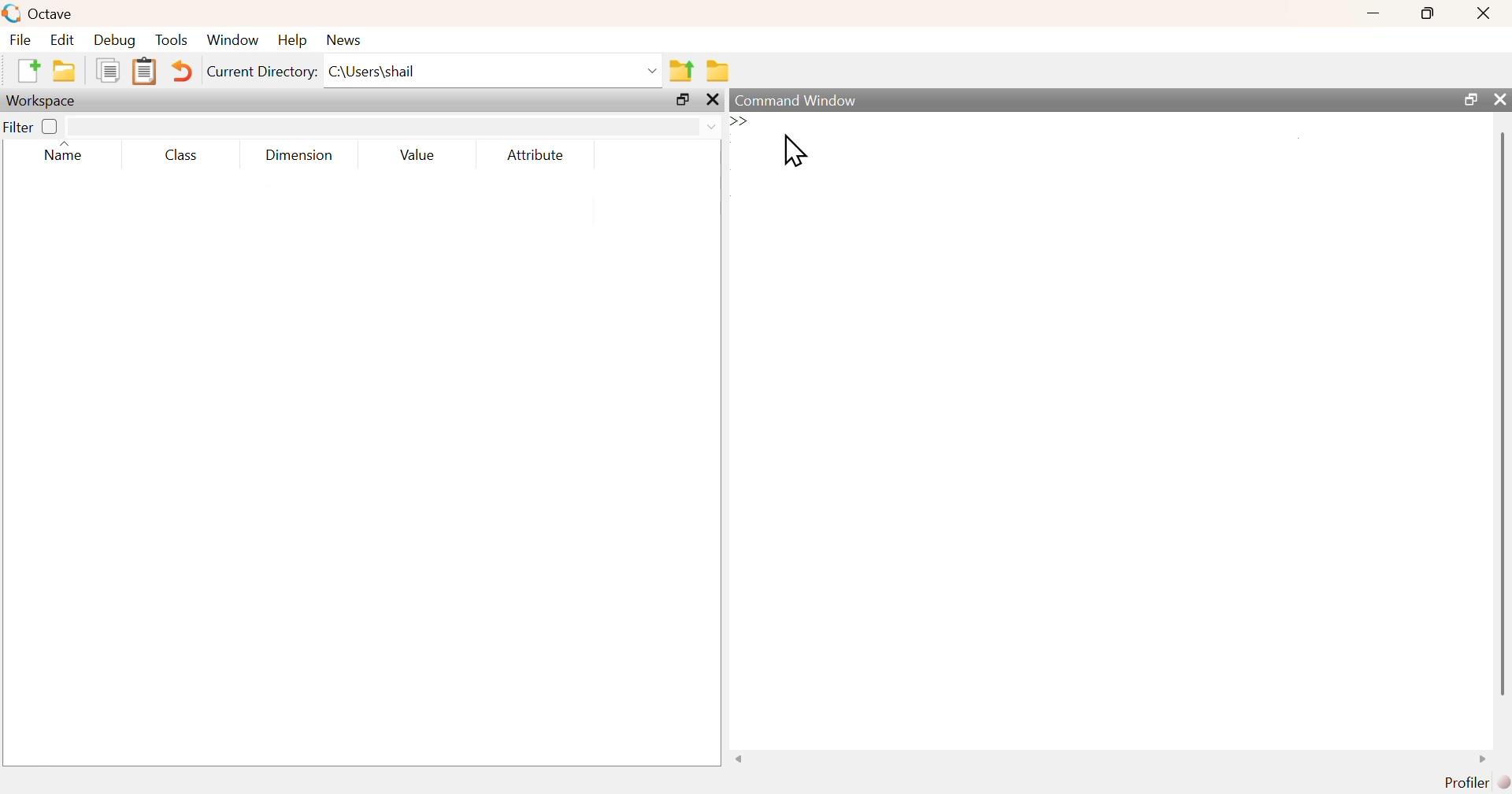 This screenshot has height=794, width=1512. Describe the element at coordinates (291, 41) in the screenshot. I see `Help` at that location.